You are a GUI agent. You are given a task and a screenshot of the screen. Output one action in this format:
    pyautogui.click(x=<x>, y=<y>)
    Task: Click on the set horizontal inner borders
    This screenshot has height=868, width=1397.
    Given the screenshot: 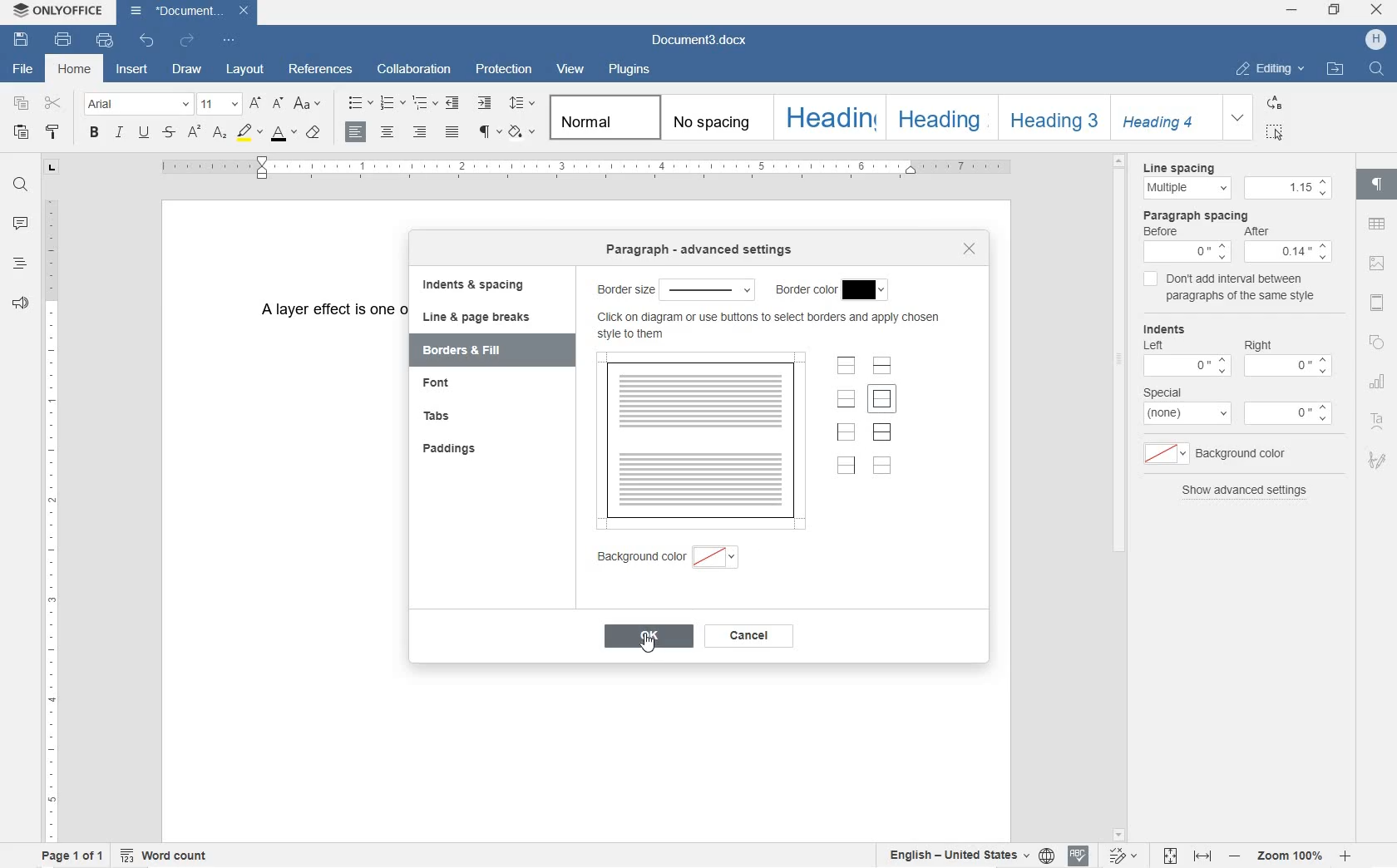 What is the action you would take?
    pyautogui.click(x=882, y=365)
    